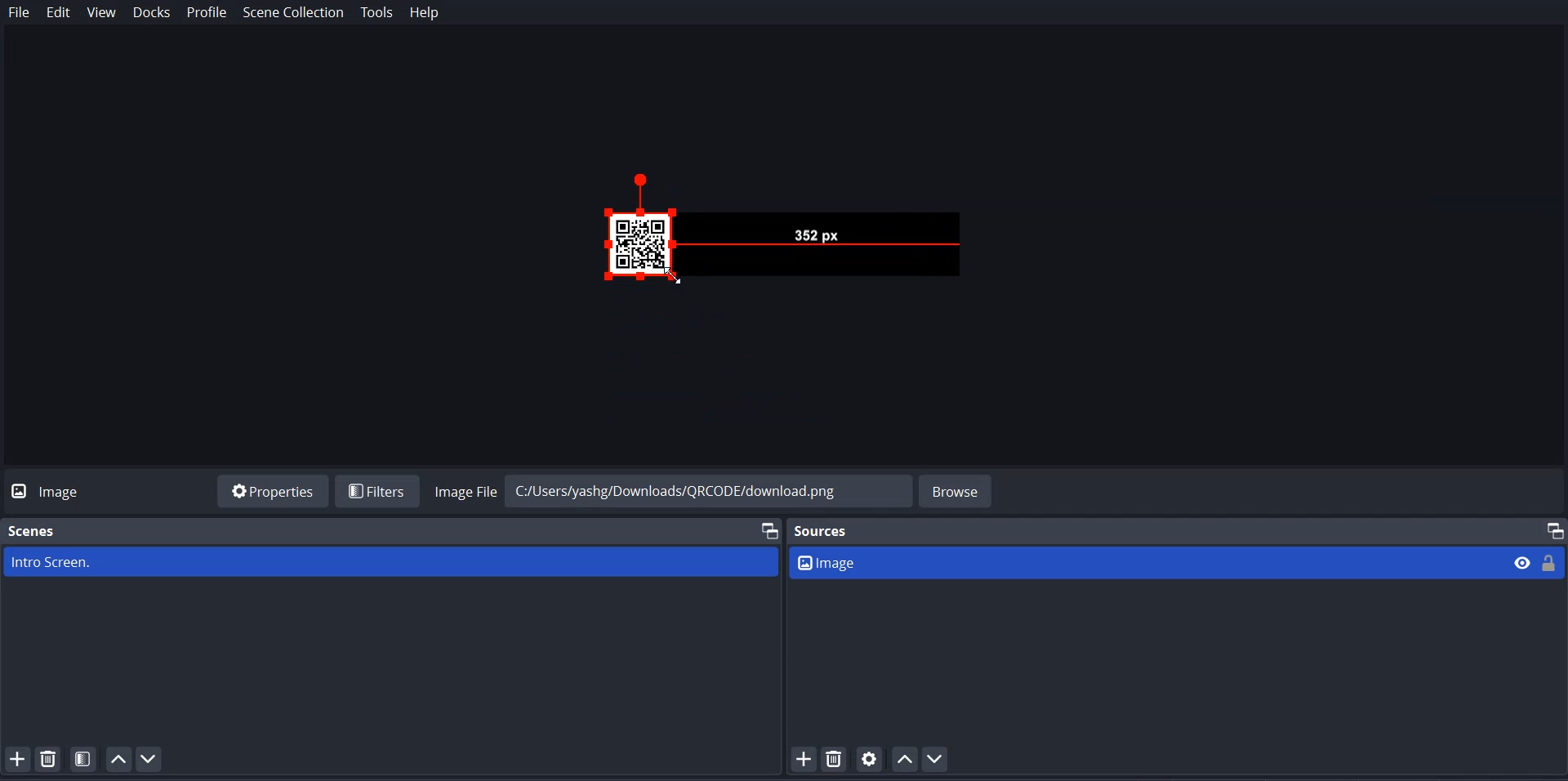 The width and height of the screenshot is (1568, 781). I want to click on Sources, so click(826, 530).